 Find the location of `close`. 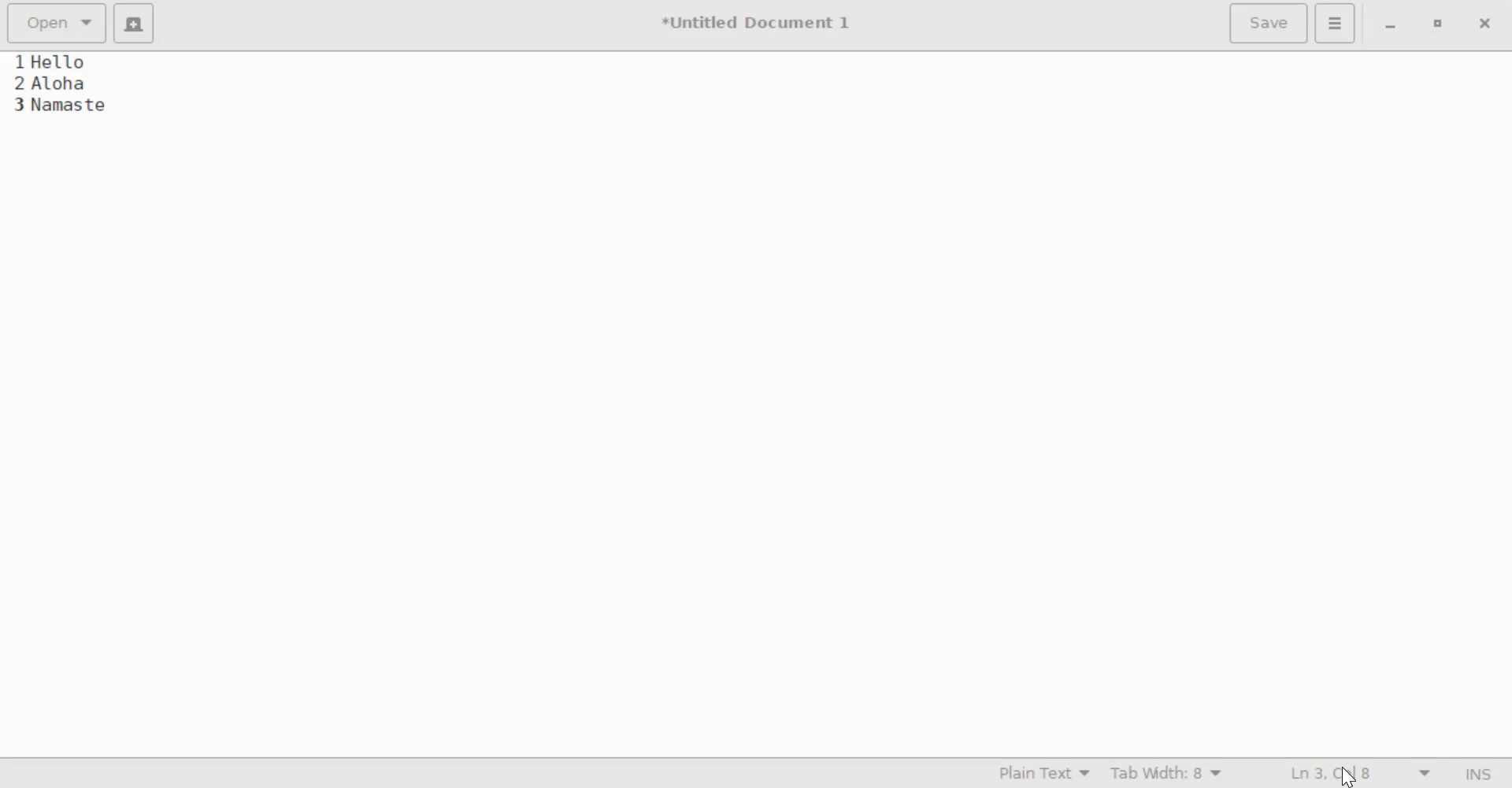

close is located at coordinates (1488, 24).